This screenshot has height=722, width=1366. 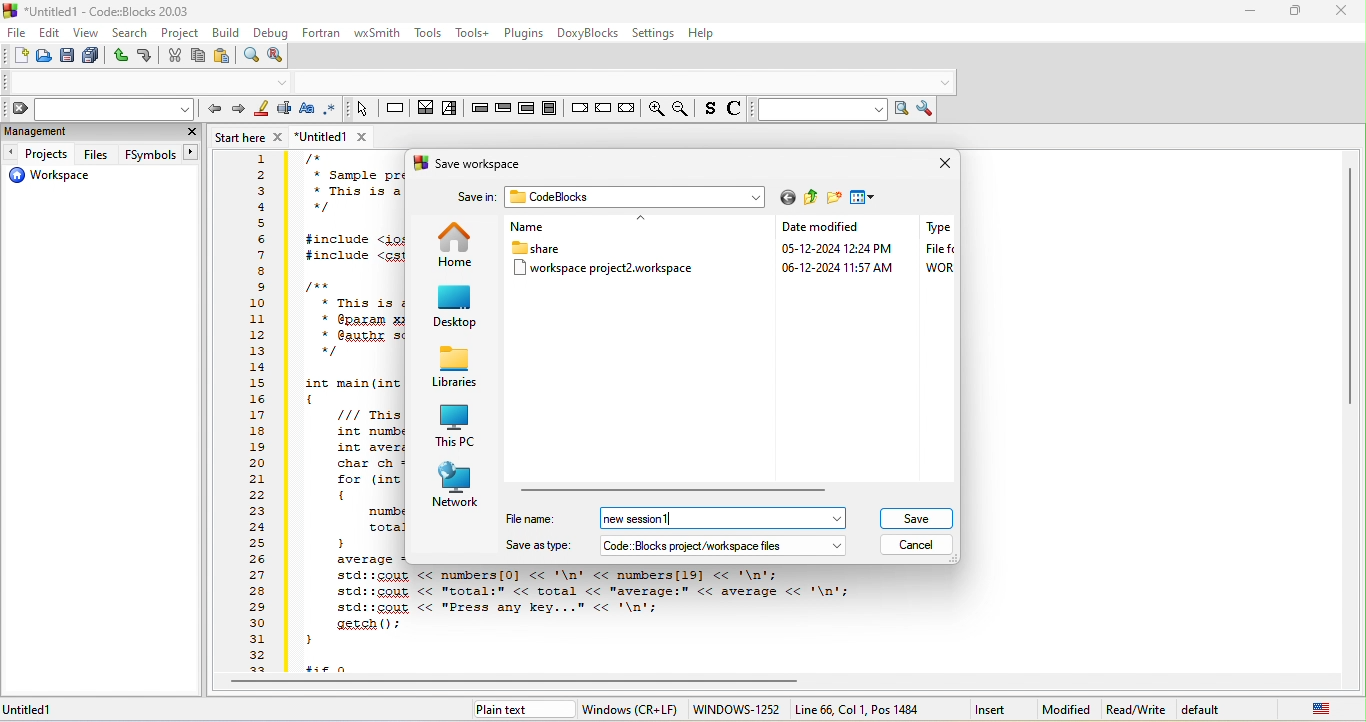 What do you see at coordinates (838, 547) in the screenshot?
I see `dropdown` at bounding box center [838, 547].